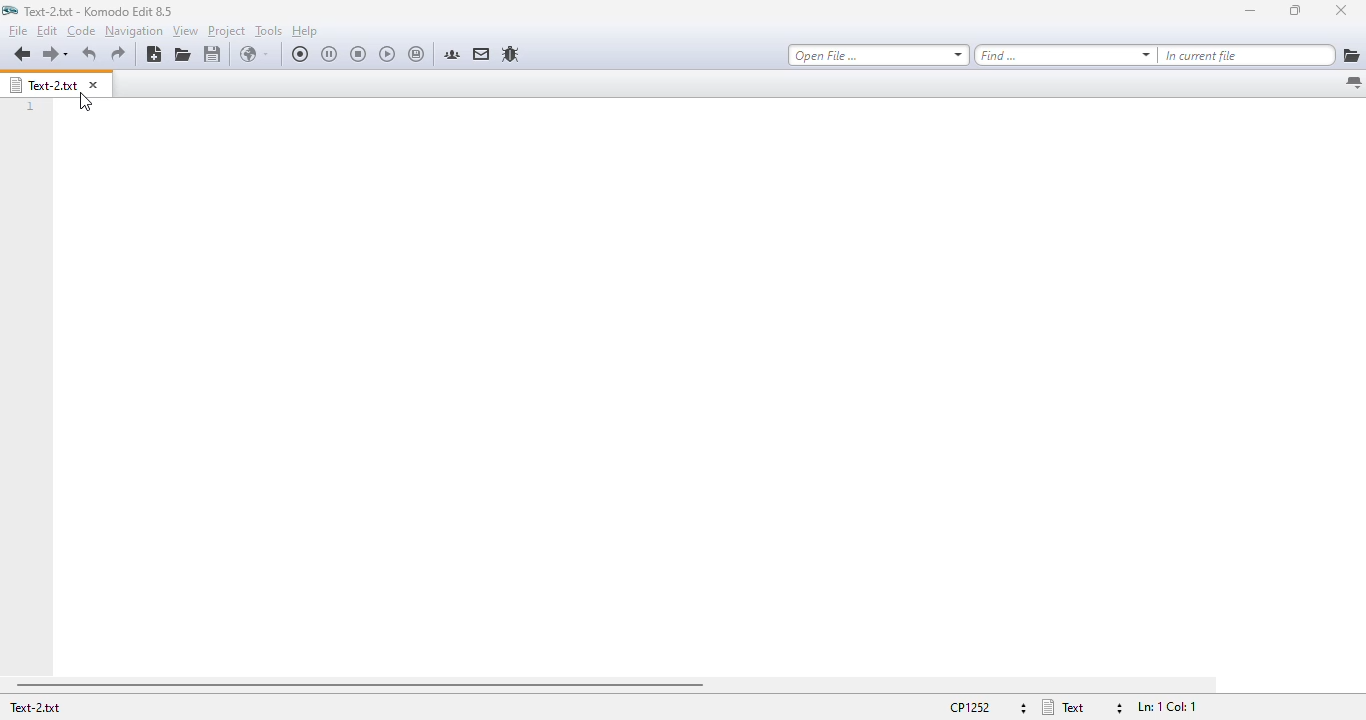 Image resolution: width=1366 pixels, height=720 pixels. What do you see at coordinates (35, 707) in the screenshot?
I see `text-2` at bounding box center [35, 707].